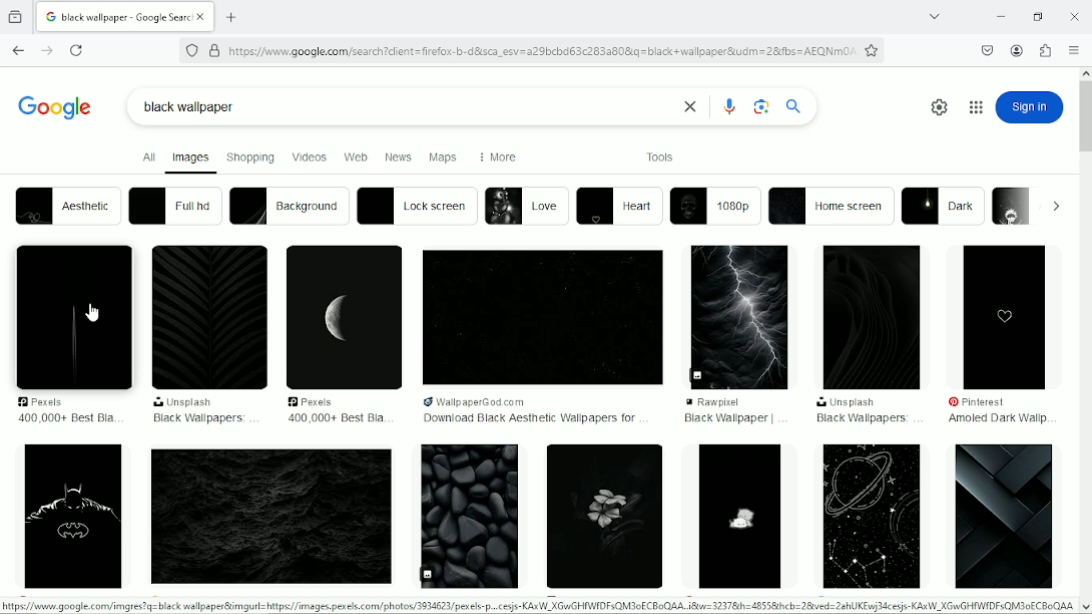 This screenshot has width=1092, height=614. Describe the element at coordinates (214, 50) in the screenshot. I see `verified by DigiCert Inc` at that location.